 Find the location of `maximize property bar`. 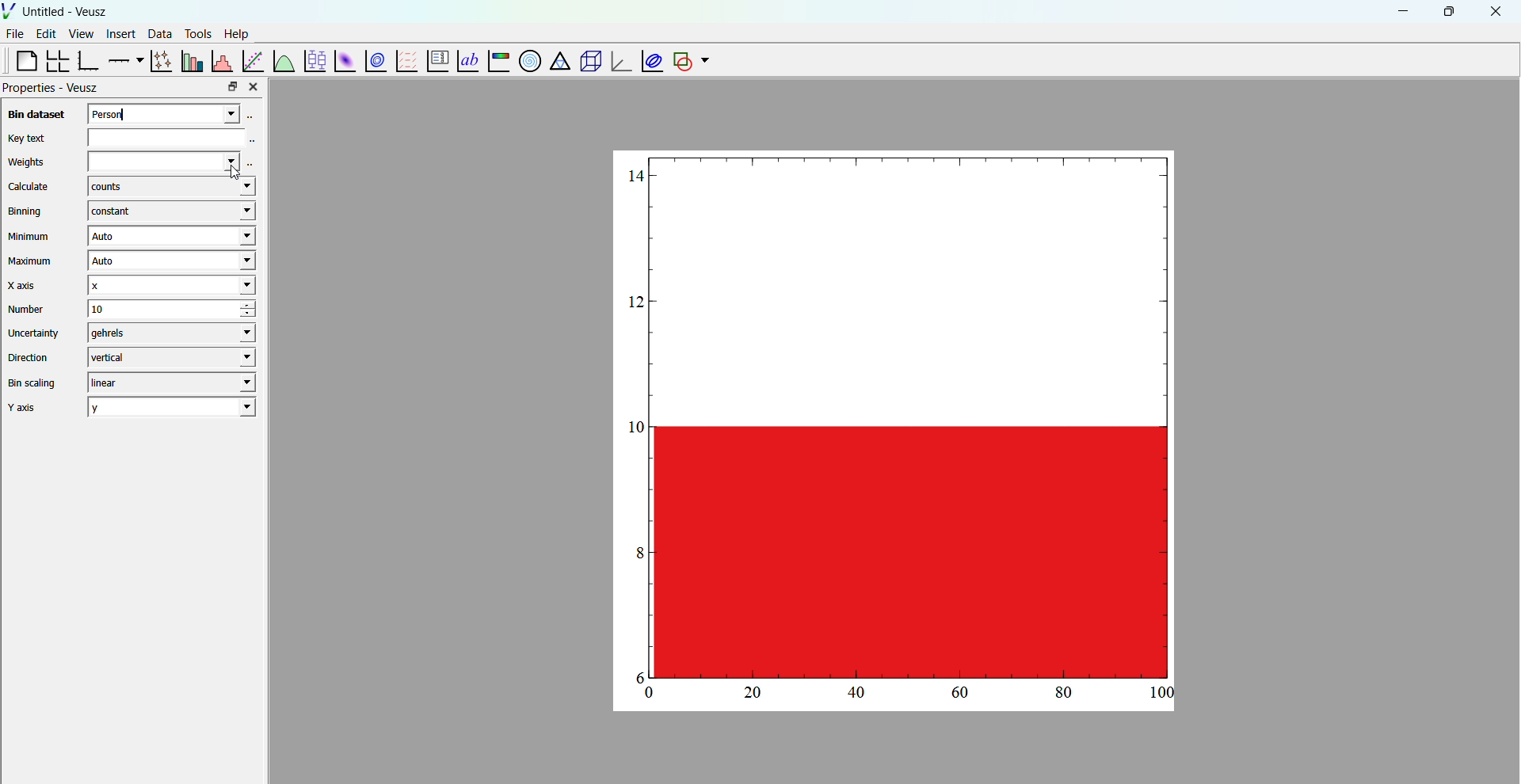

maximize property bar is located at coordinates (233, 87).